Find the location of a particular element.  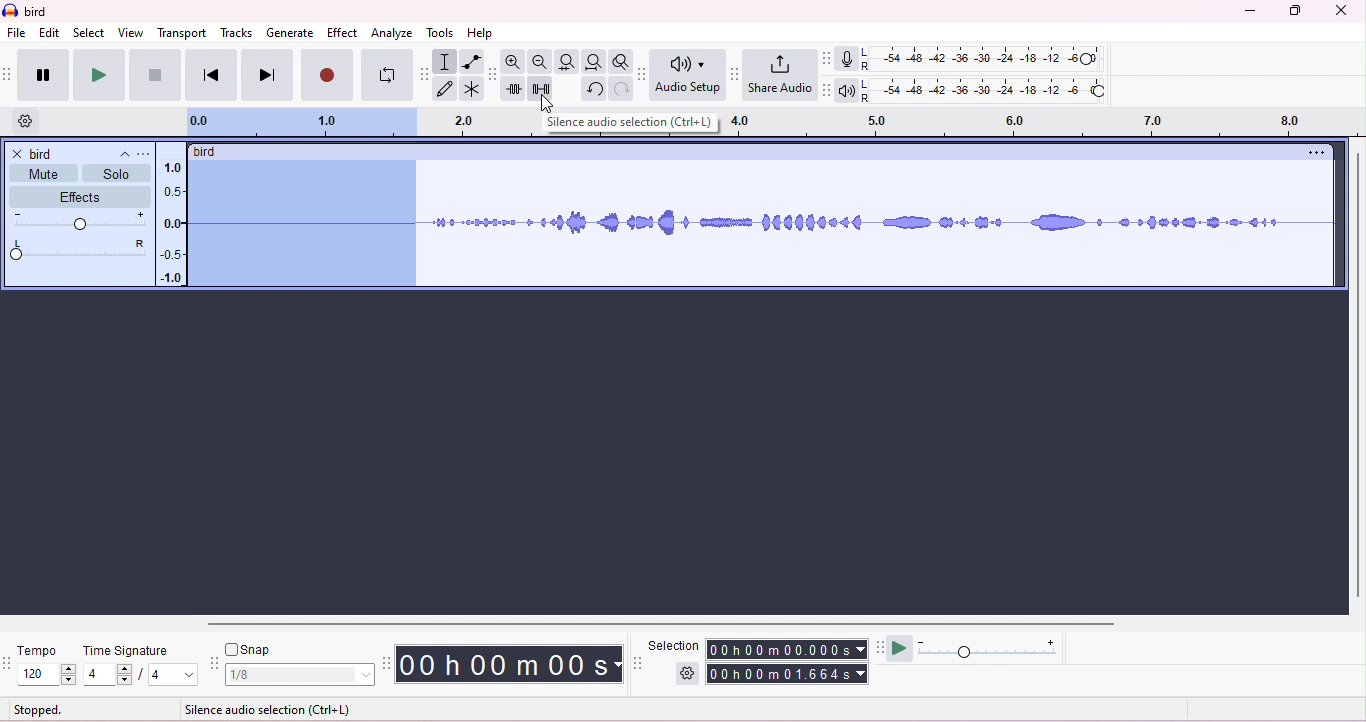

analyze is located at coordinates (392, 34).